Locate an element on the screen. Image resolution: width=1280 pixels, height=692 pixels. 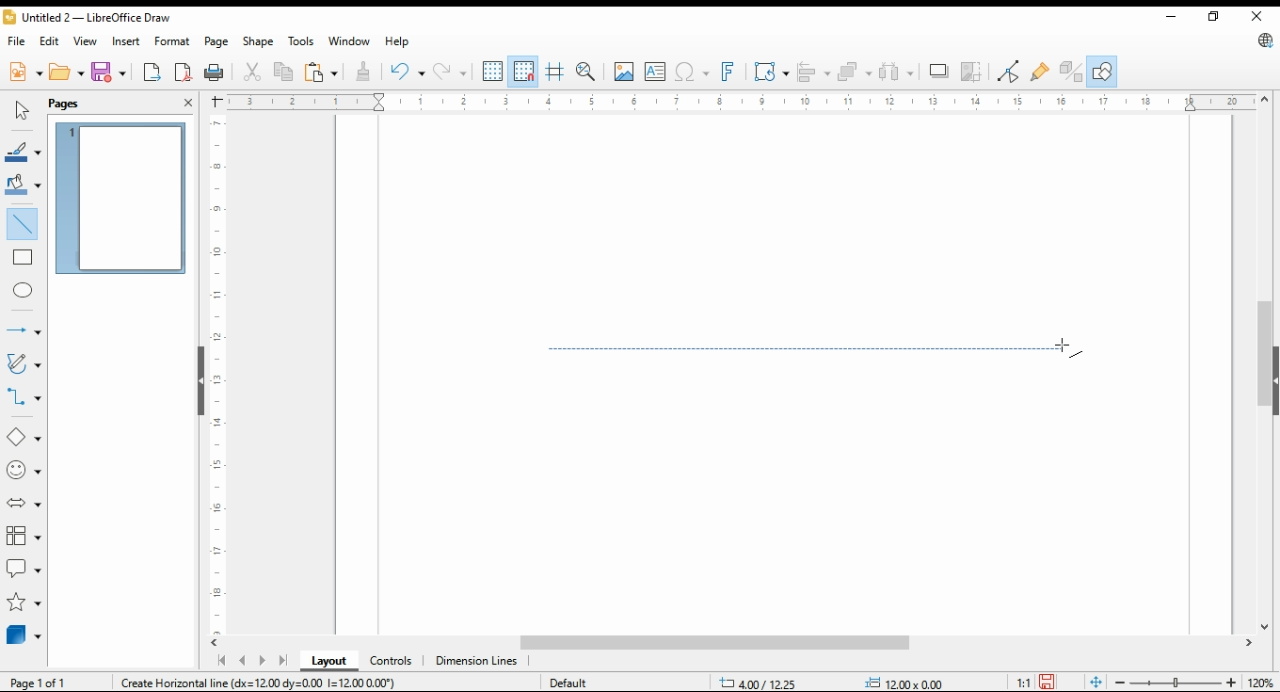
open is located at coordinates (67, 70).